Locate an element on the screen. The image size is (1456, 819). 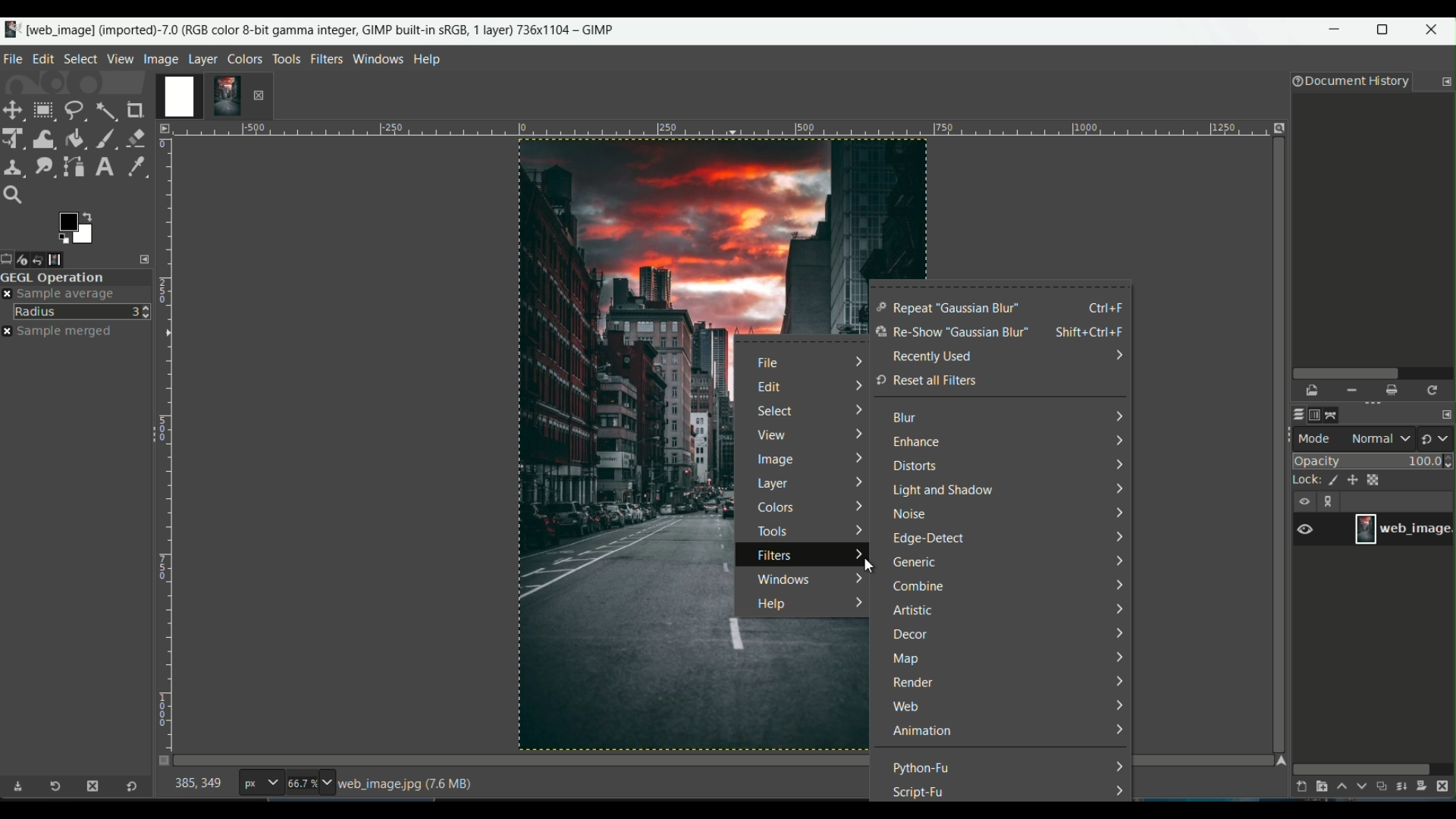
delete tool preset is located at coordinates (92, 786).